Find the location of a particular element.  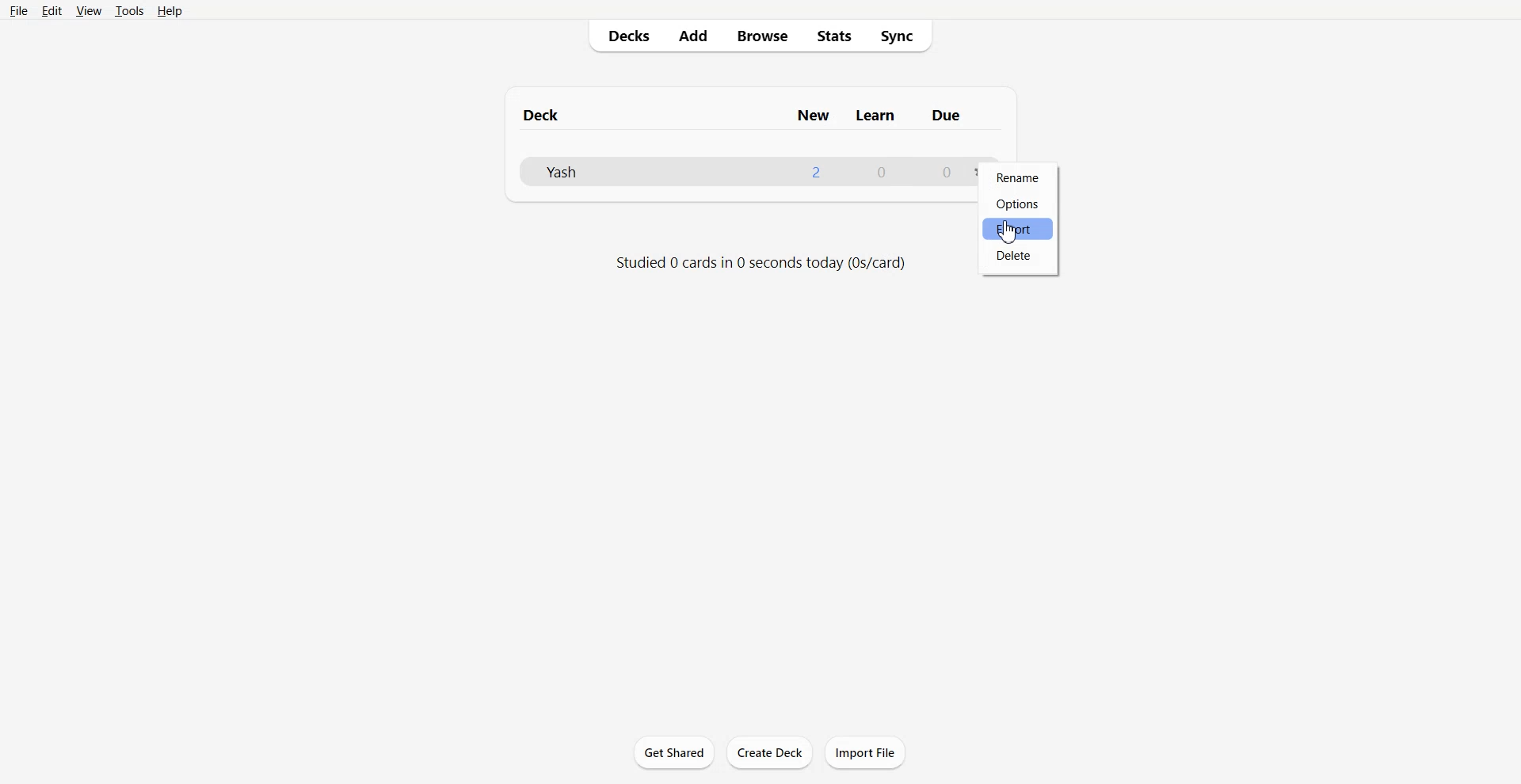

0 is located at coordinates (945, 172).